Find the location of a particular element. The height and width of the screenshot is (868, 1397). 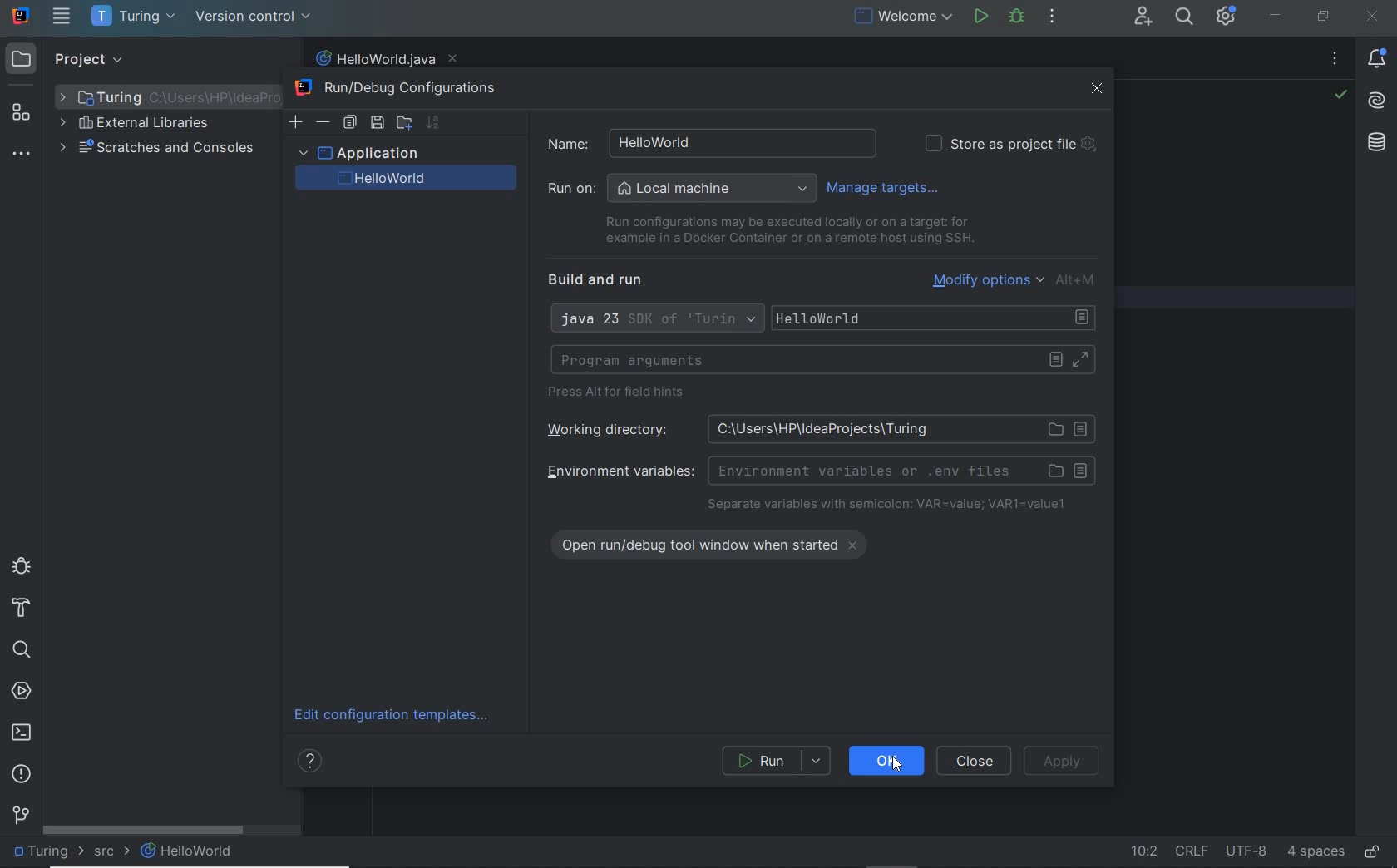

build is located at coordinates (22, 609).